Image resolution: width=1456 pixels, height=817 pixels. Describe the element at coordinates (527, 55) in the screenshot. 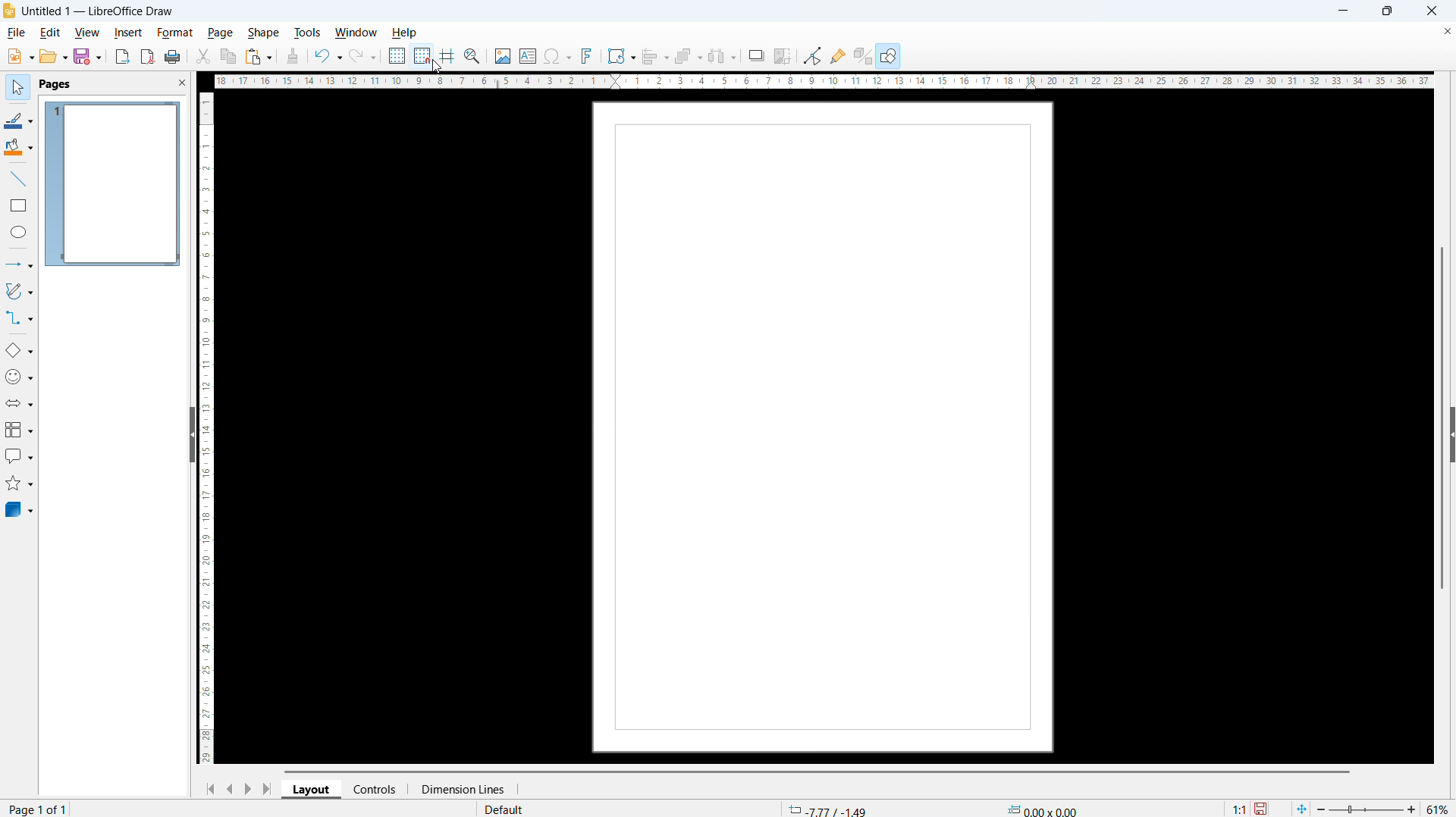

I see `Insert text box ` at that location.